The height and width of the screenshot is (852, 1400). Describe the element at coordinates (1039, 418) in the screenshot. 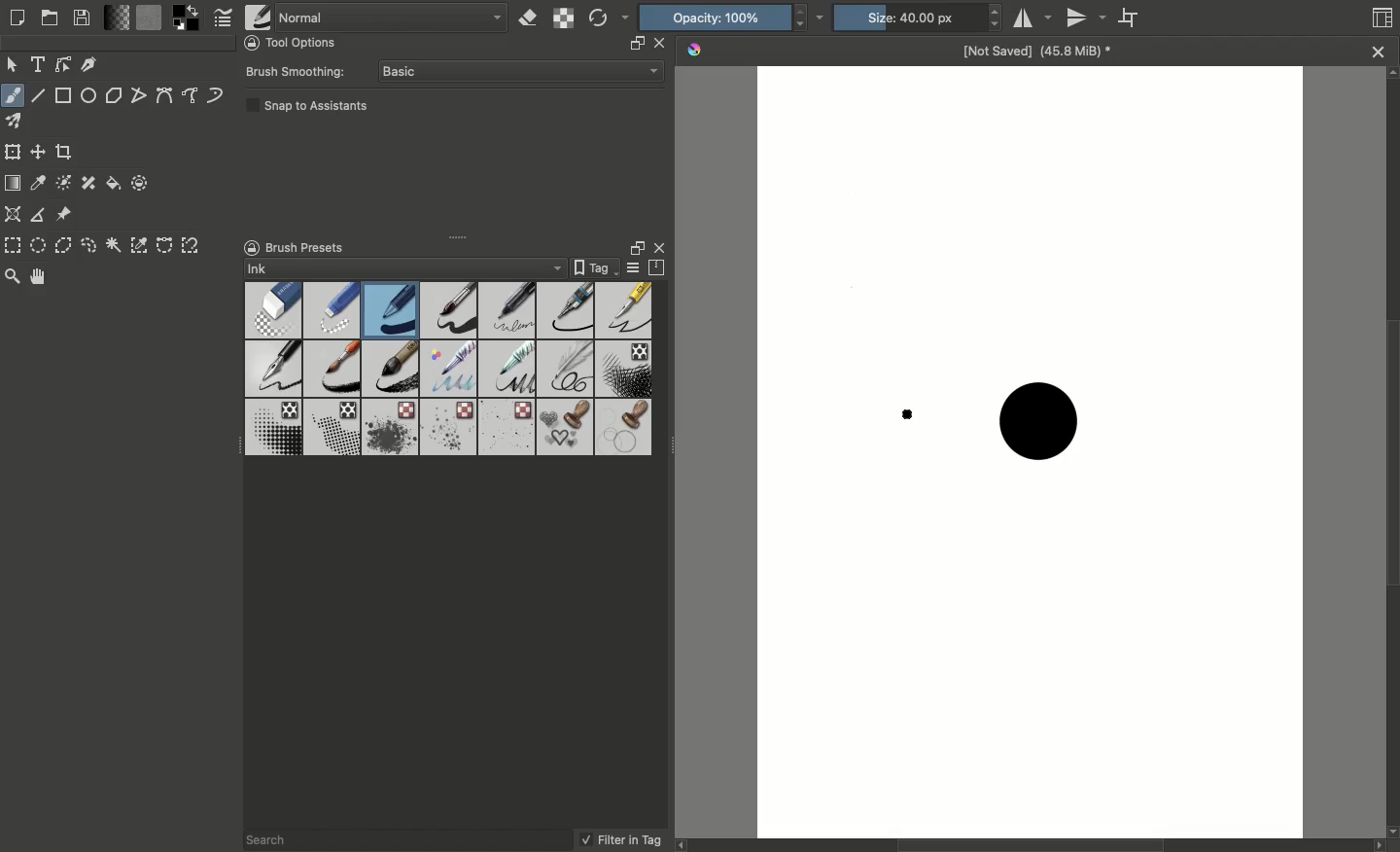

I see `Brush stroke` at that location.